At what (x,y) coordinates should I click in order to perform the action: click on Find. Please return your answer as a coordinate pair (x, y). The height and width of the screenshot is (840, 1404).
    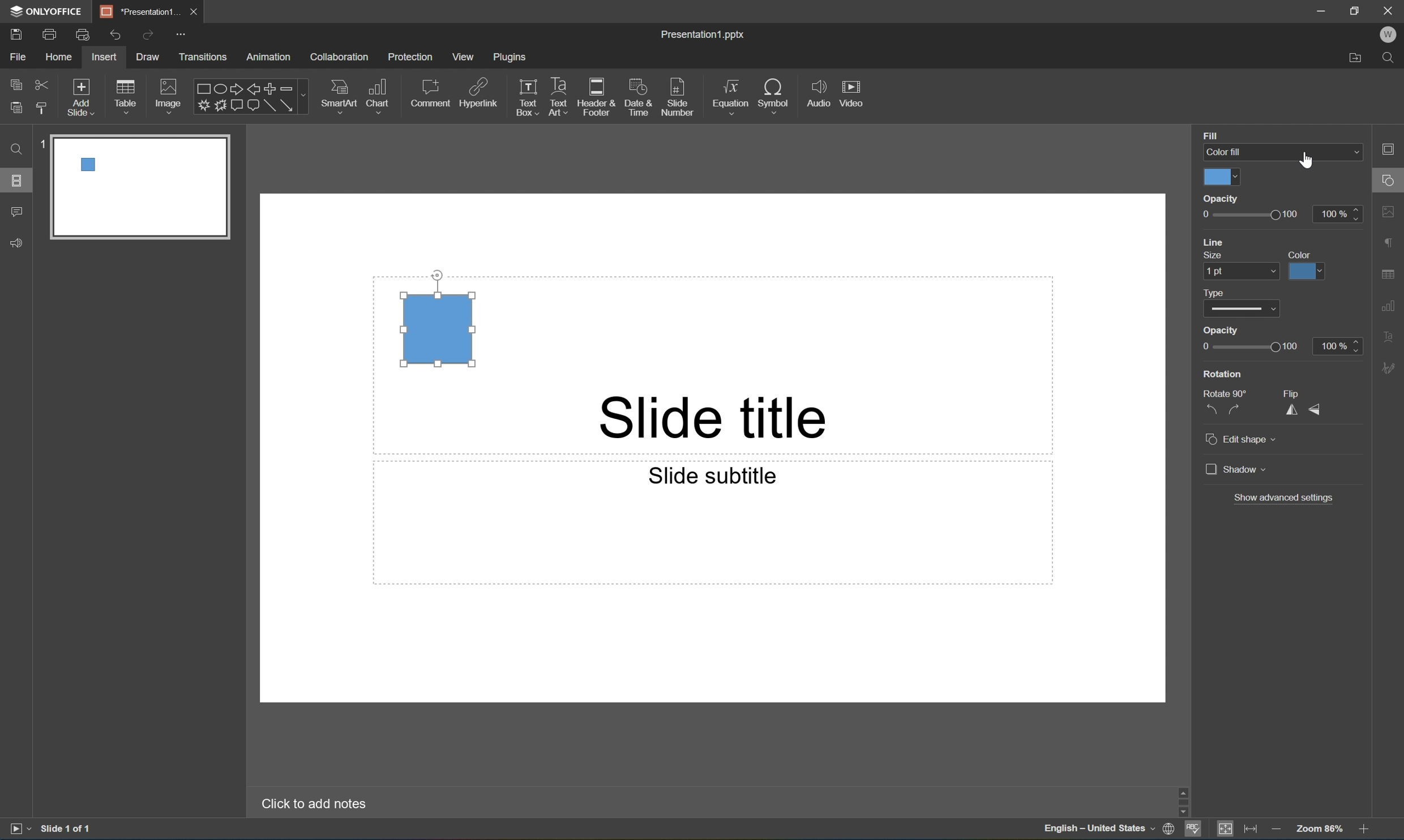
    Looking at the image, I should click on (16, 149).